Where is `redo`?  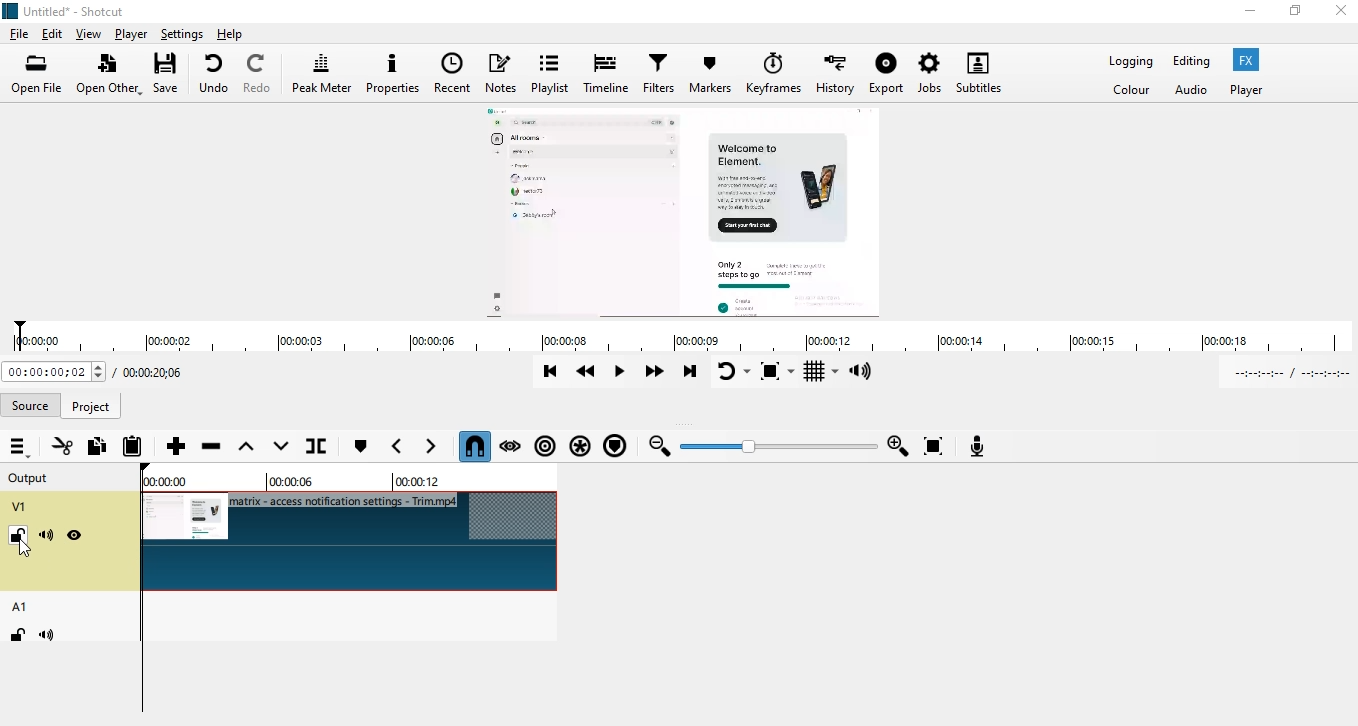
redo is located at coordinates (258, 74).